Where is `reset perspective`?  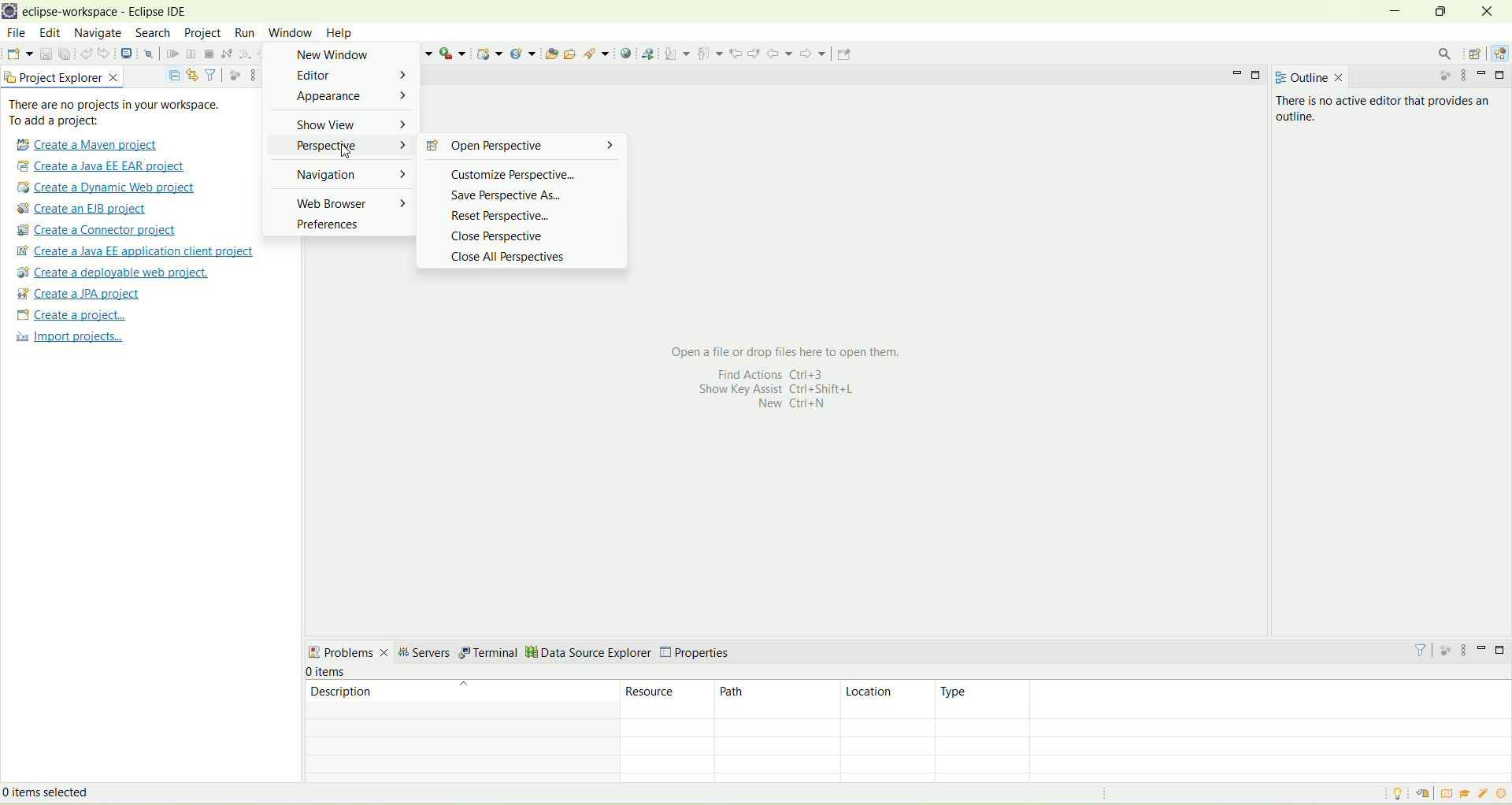
reset perspective is located at coordinates (495, 217).